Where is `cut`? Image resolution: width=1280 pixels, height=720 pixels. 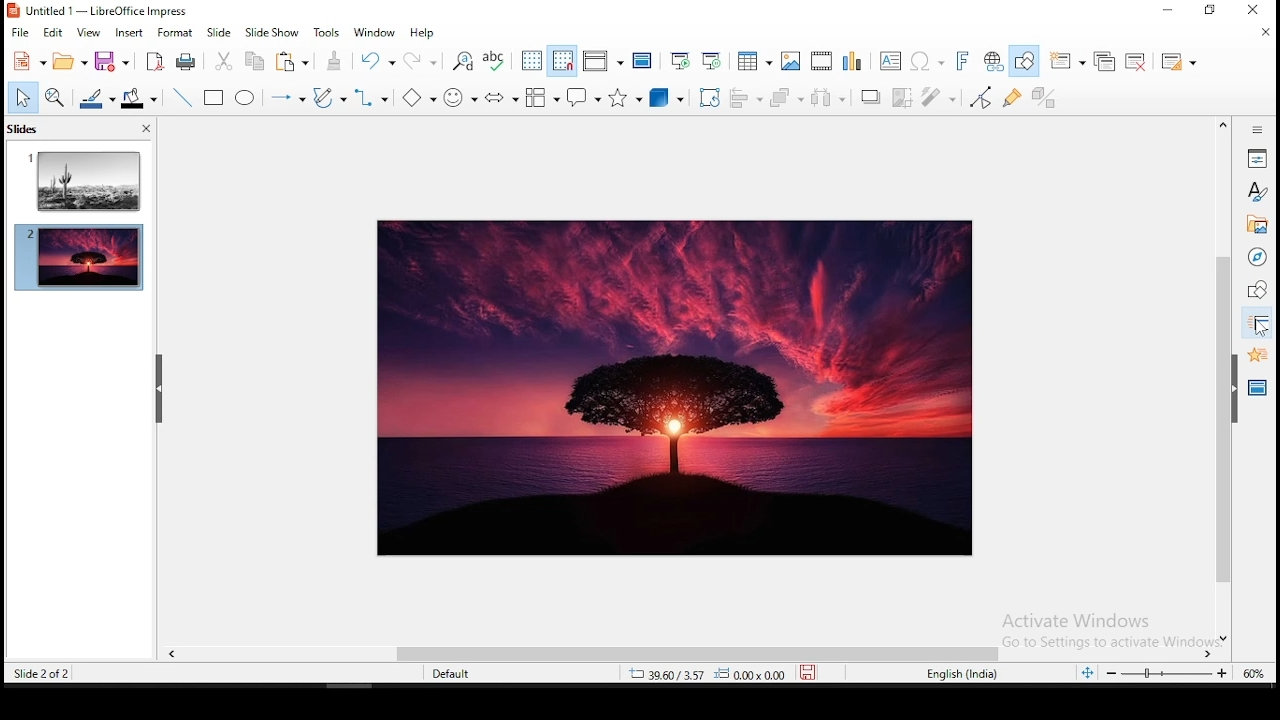
cut is located at coordinates (224, 62).